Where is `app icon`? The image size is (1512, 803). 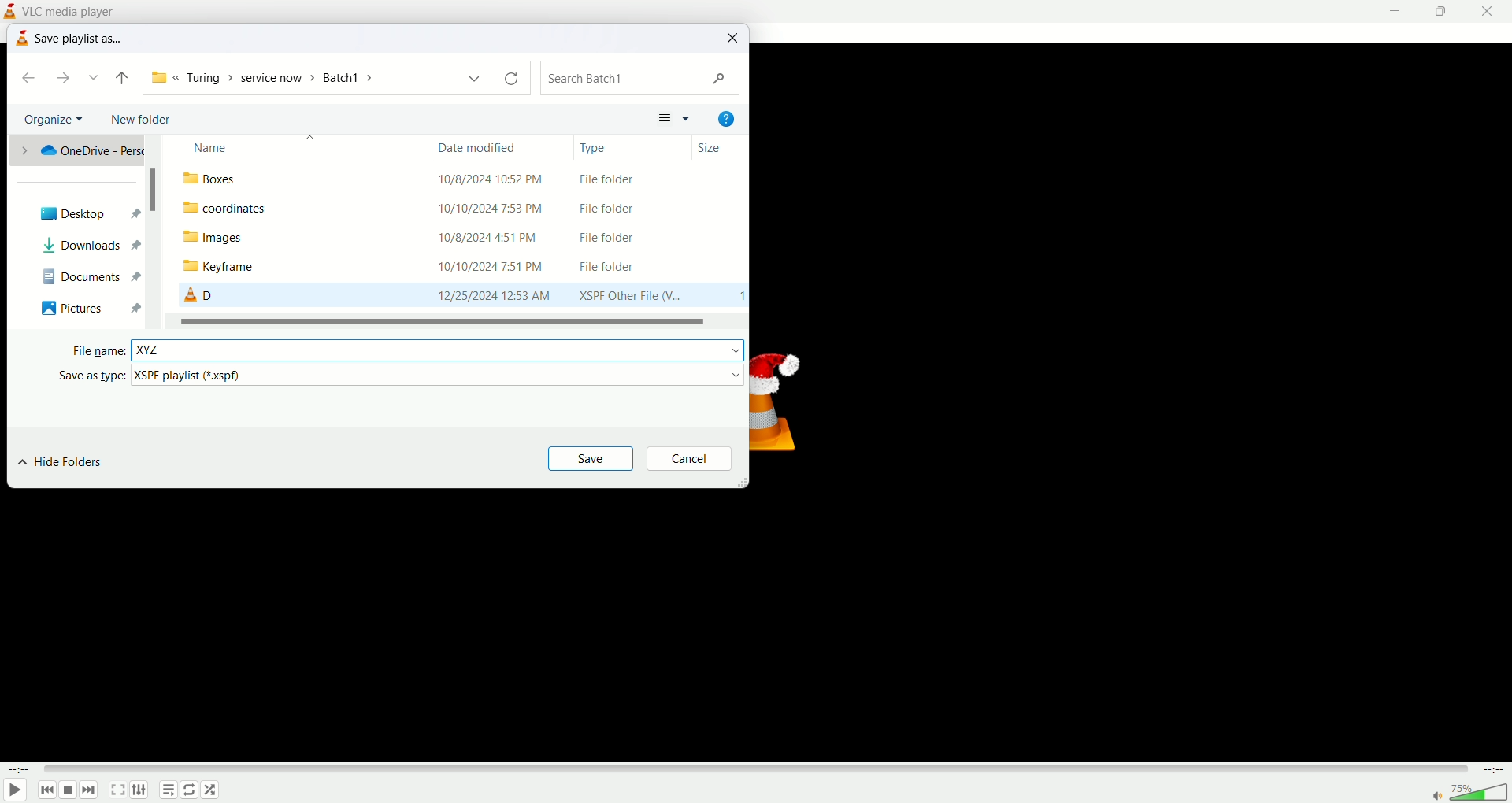 app icon is located at coordinates (23, 39).